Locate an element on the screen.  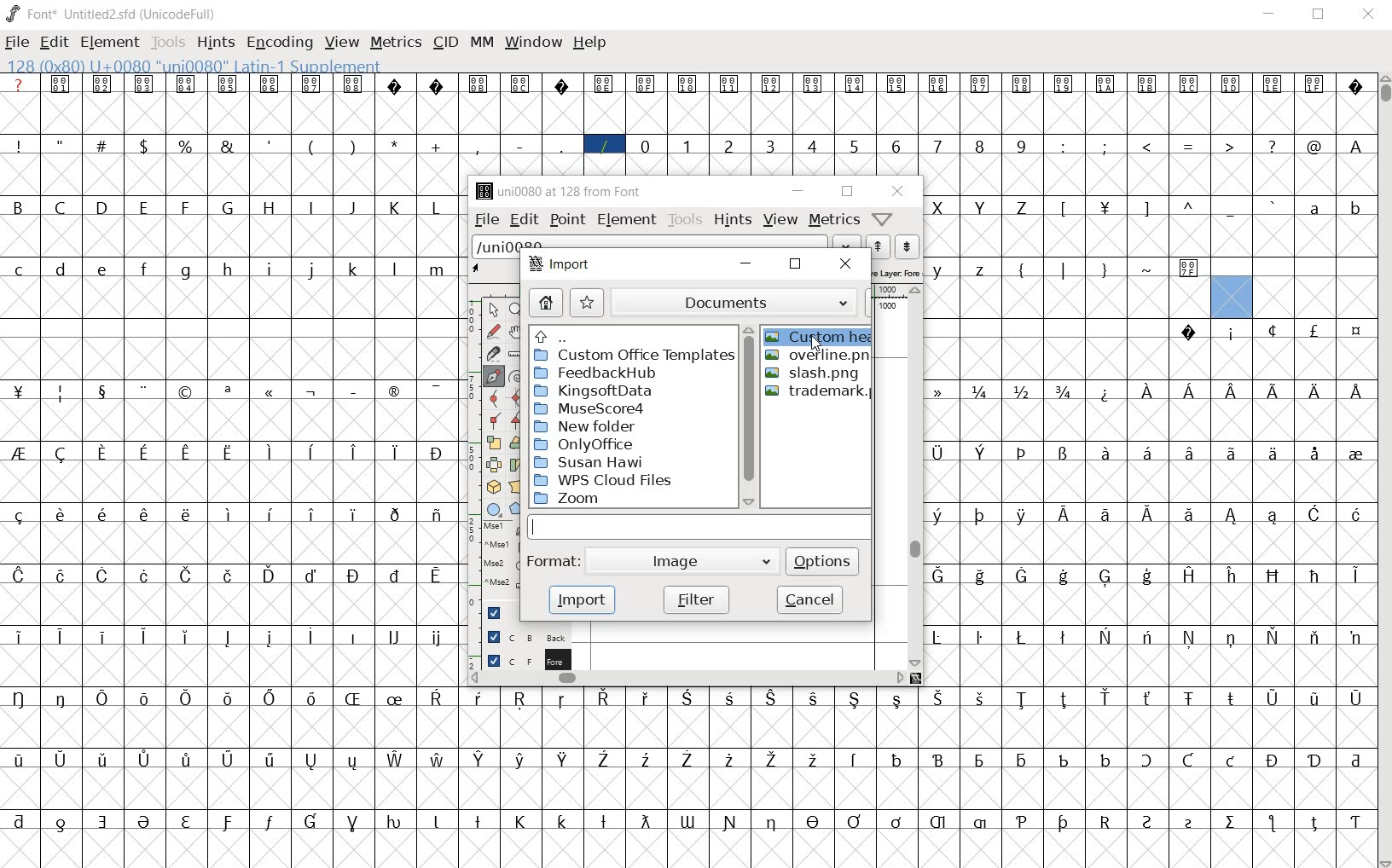
glyph is located at coordinates (645, 698).